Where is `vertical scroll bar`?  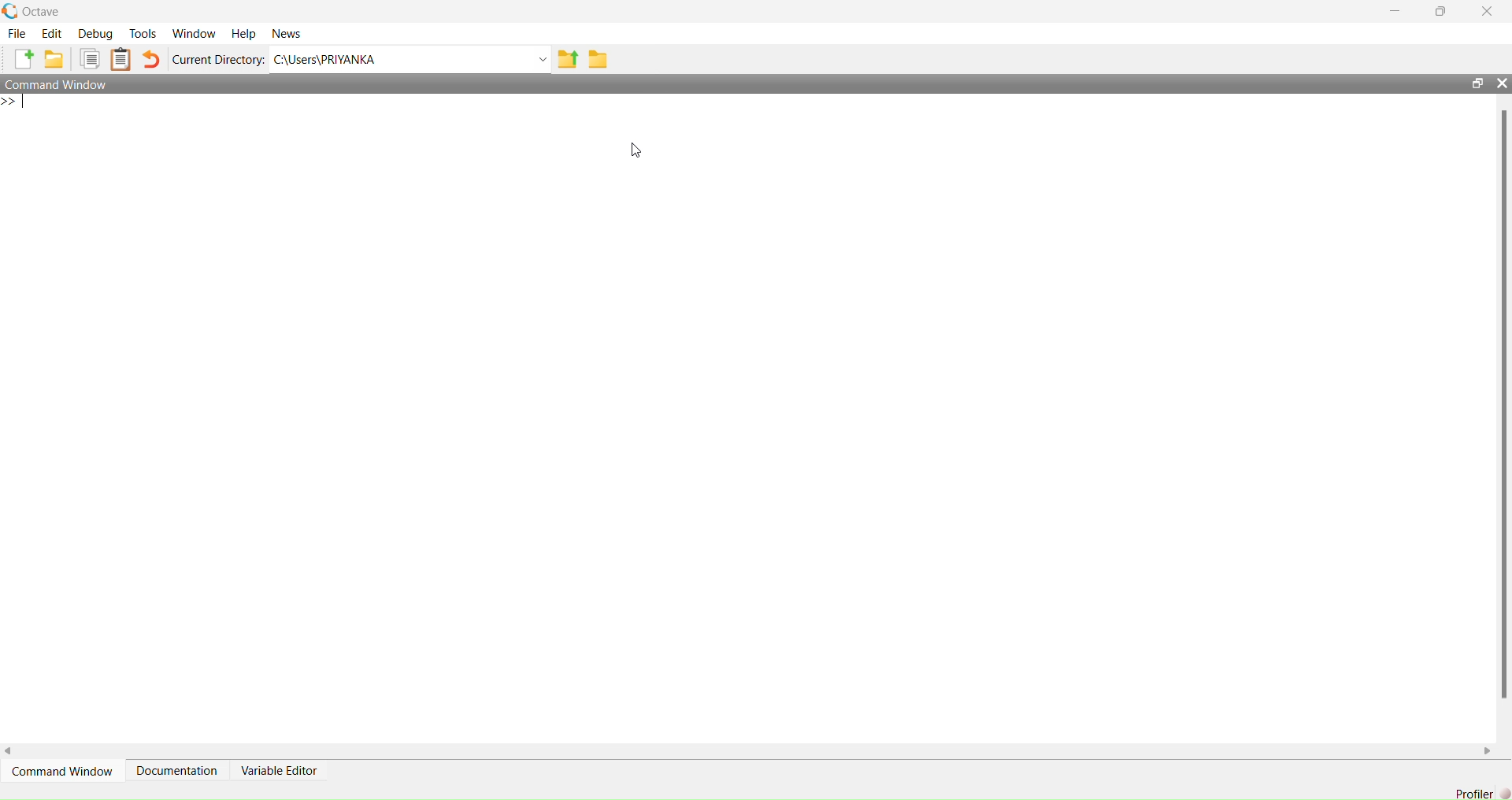
vertical scroll bar is located at coordinates (1504, 417).